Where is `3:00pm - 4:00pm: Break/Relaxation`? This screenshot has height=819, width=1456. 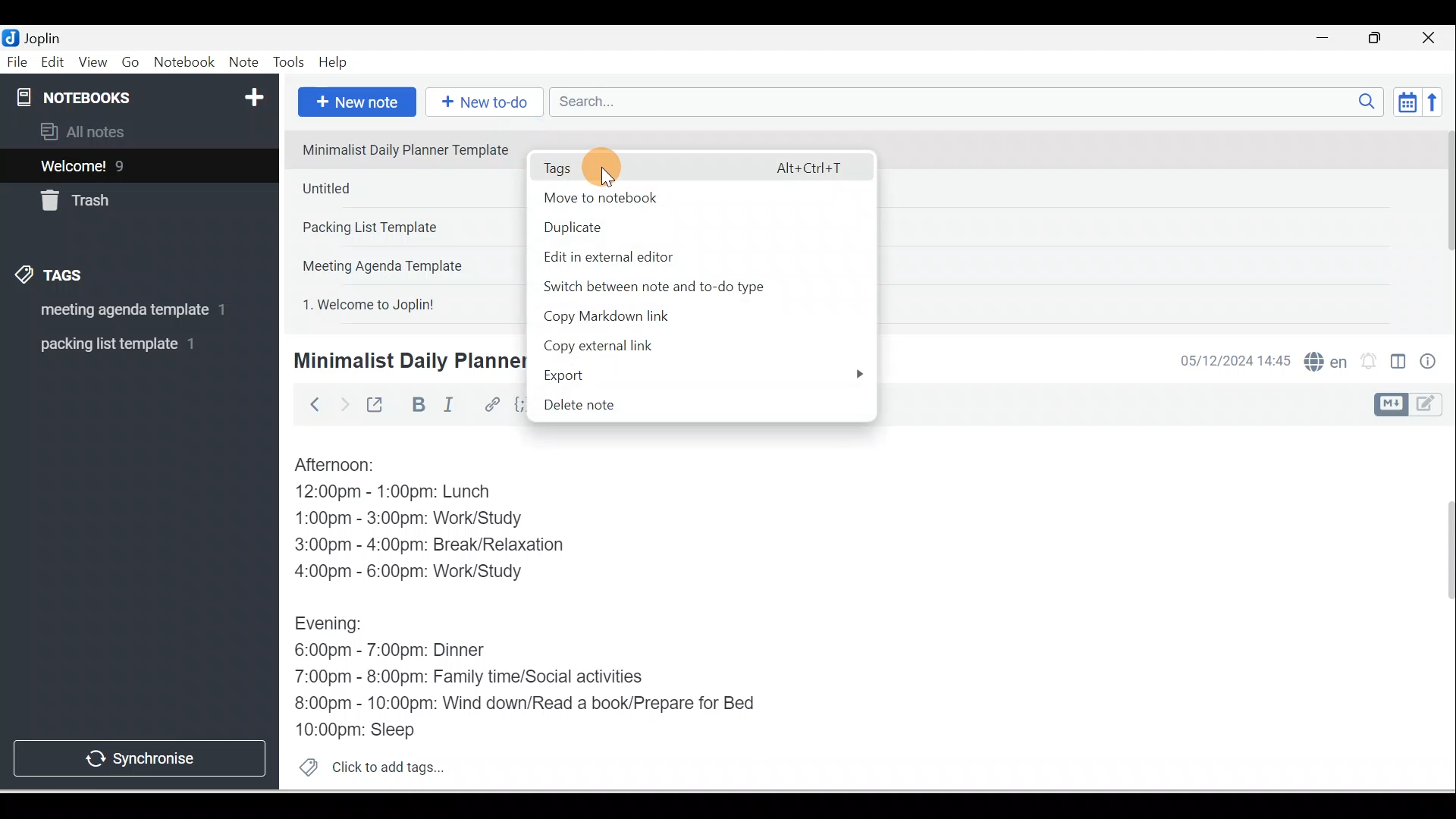
3:00pm - 4:00pm: Break/Relaxation is located at coordinates (462, 547).